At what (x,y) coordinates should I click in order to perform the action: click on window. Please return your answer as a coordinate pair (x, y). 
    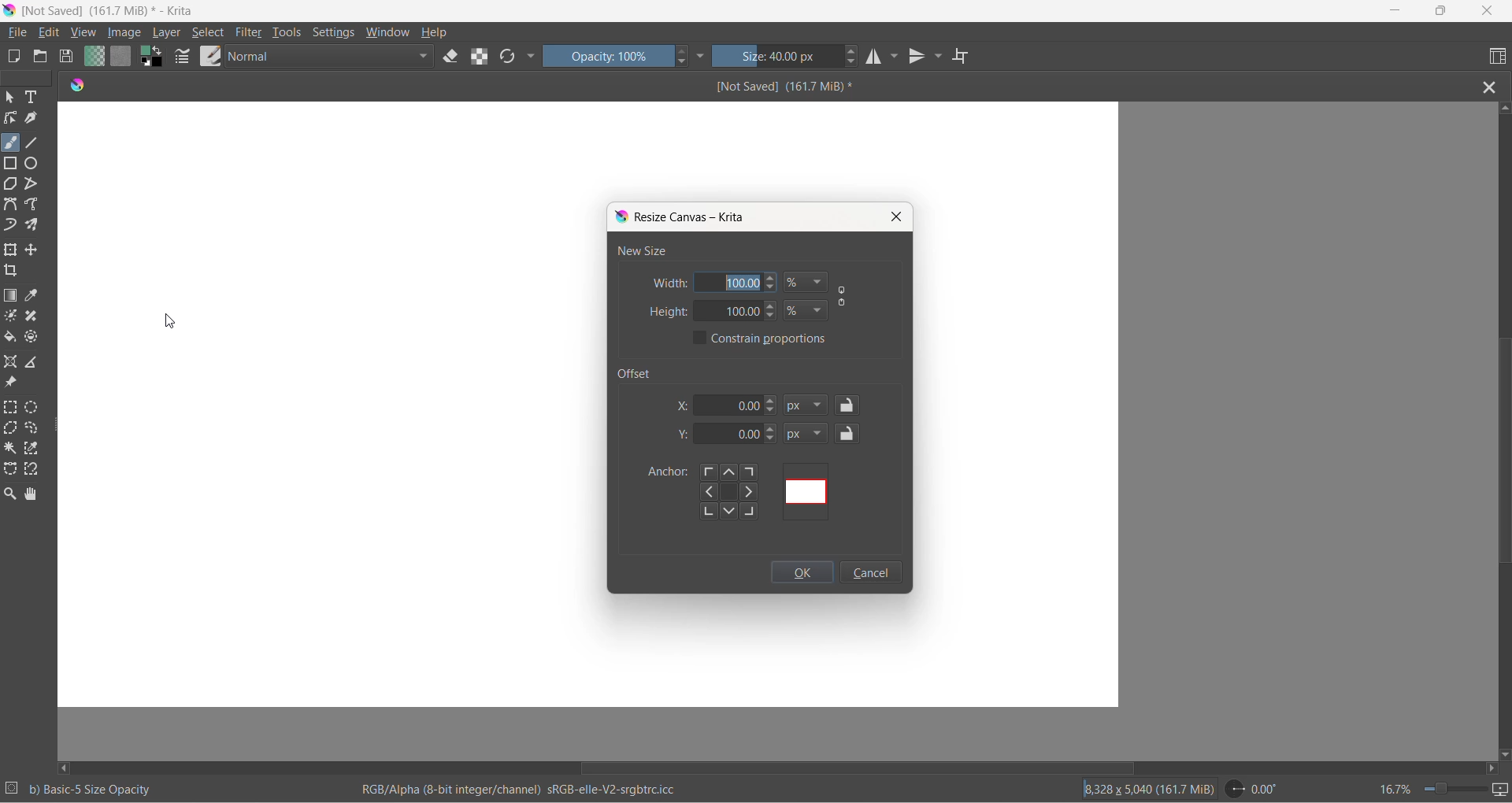
    Looking at the image, I should click on (387, 34).